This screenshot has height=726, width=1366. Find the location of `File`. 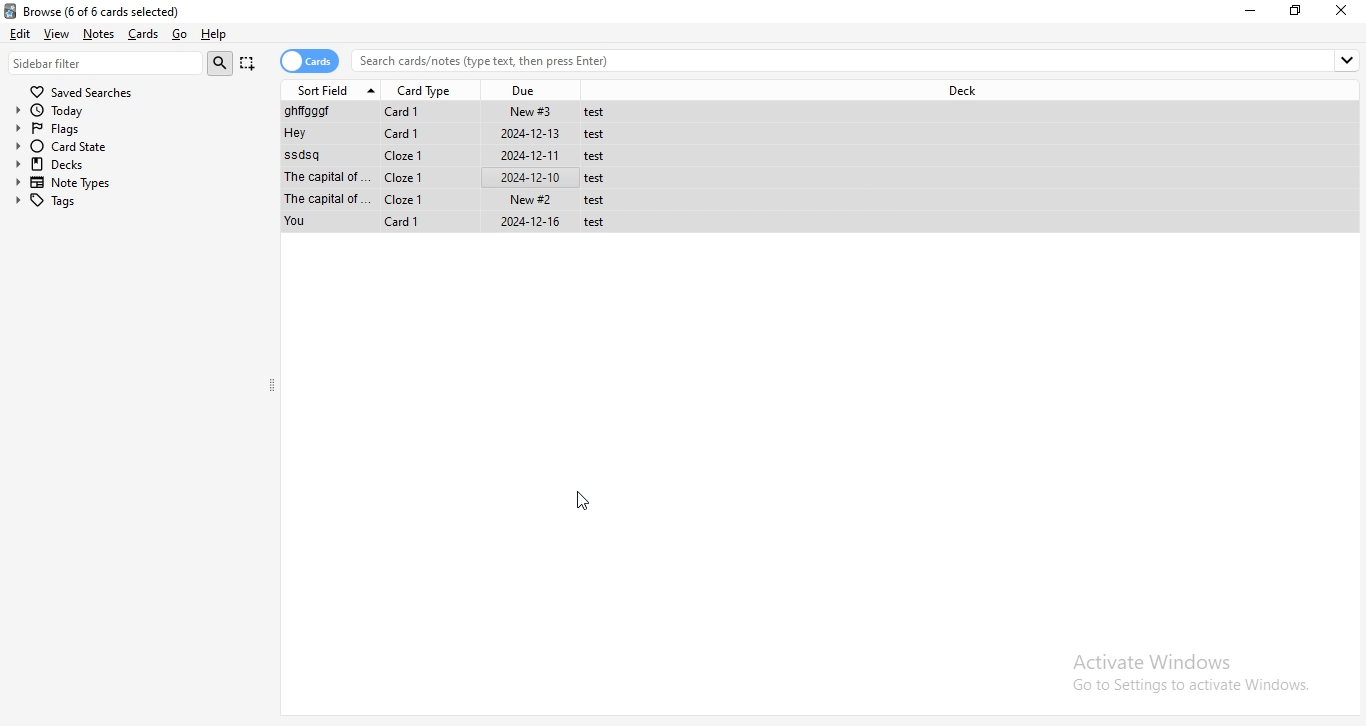

File is located at coordinates (457, 199).